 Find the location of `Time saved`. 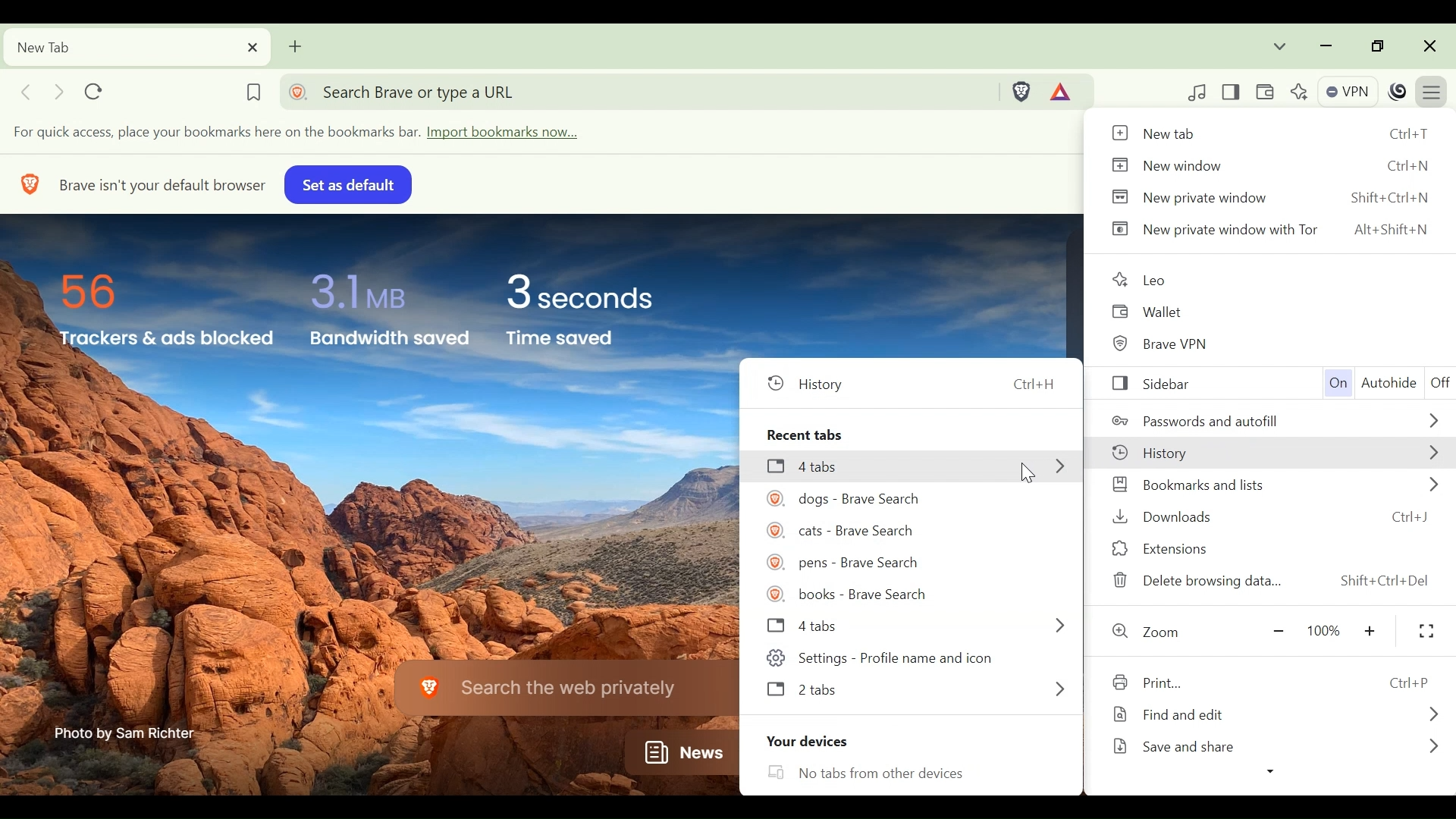

Time saved is located at coordinates (581, 341).